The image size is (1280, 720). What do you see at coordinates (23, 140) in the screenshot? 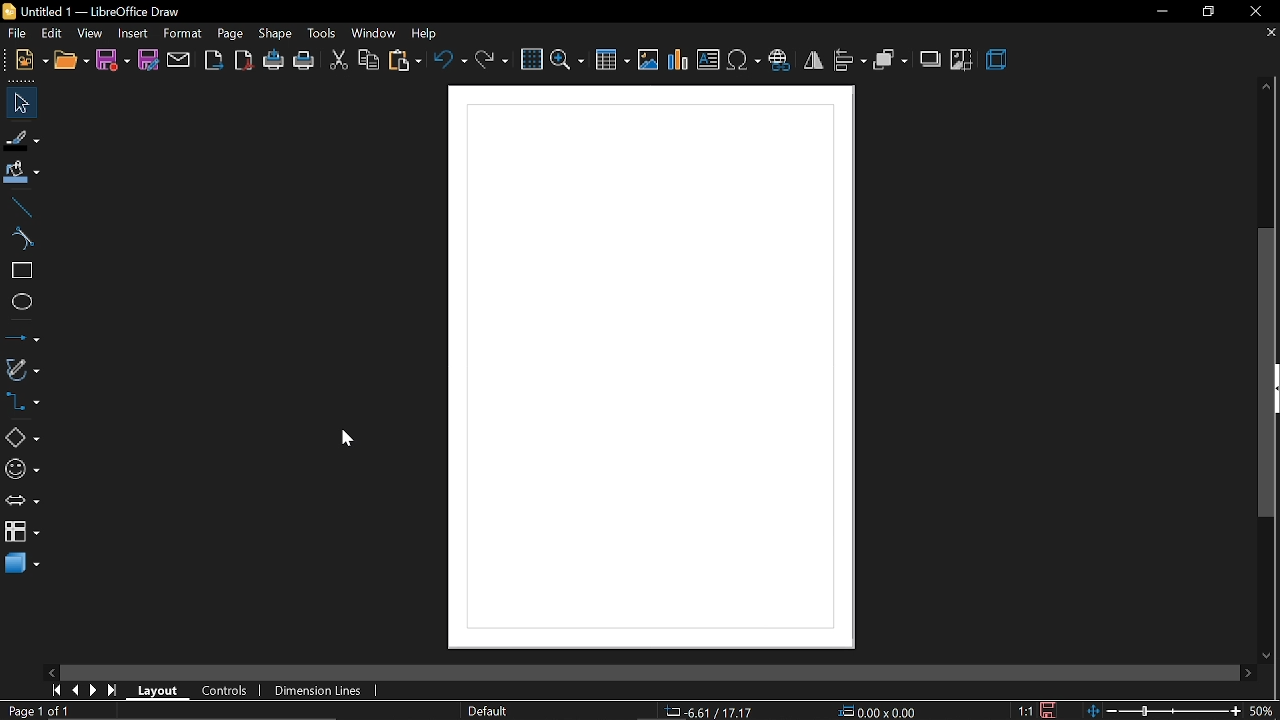
I see `fill line` at bounding box center [23, 140].